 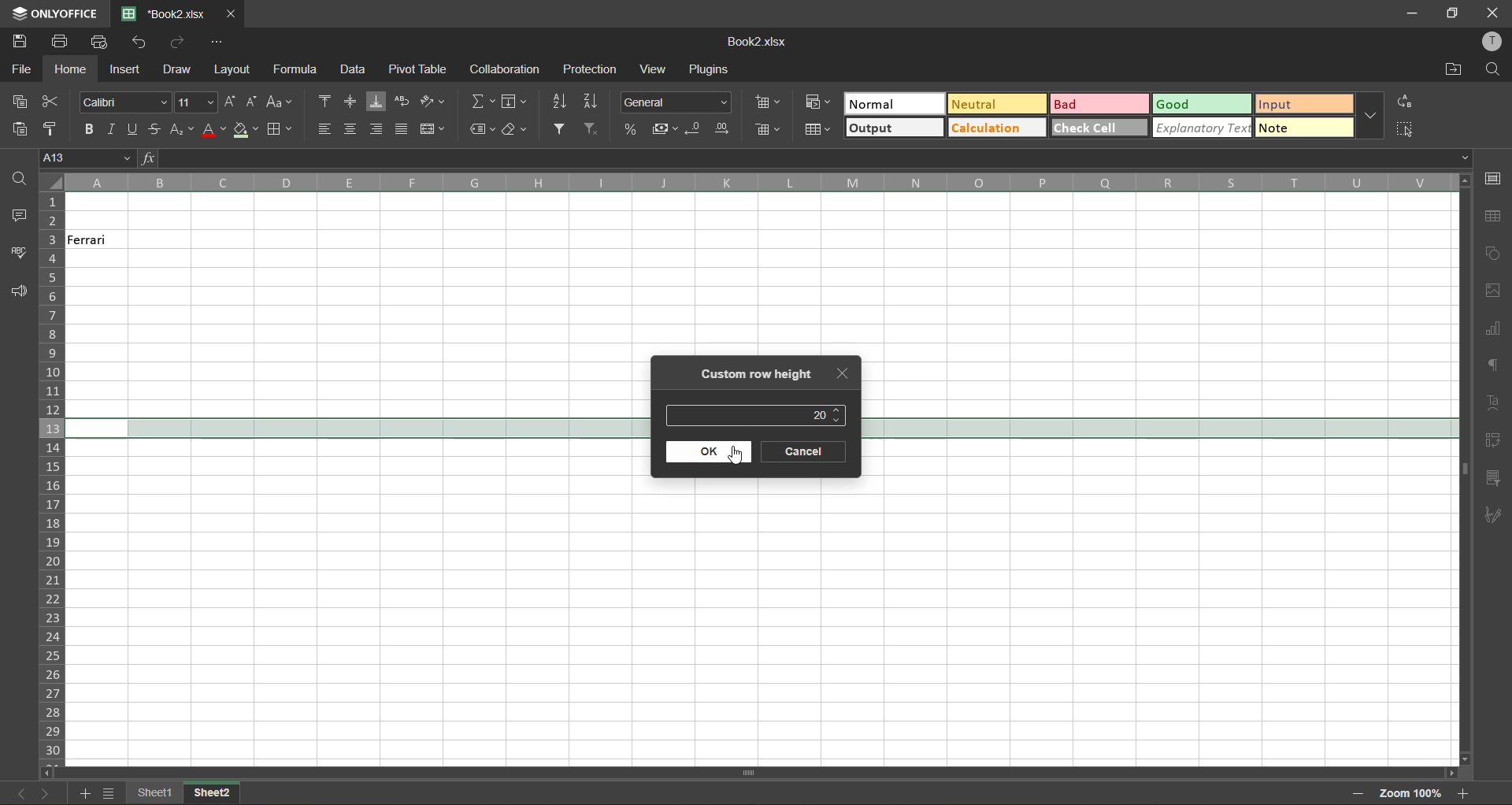 What do you see at coordinates (51, 102) in the screenshot?
I see `cut` at bounding box center [51, 102].